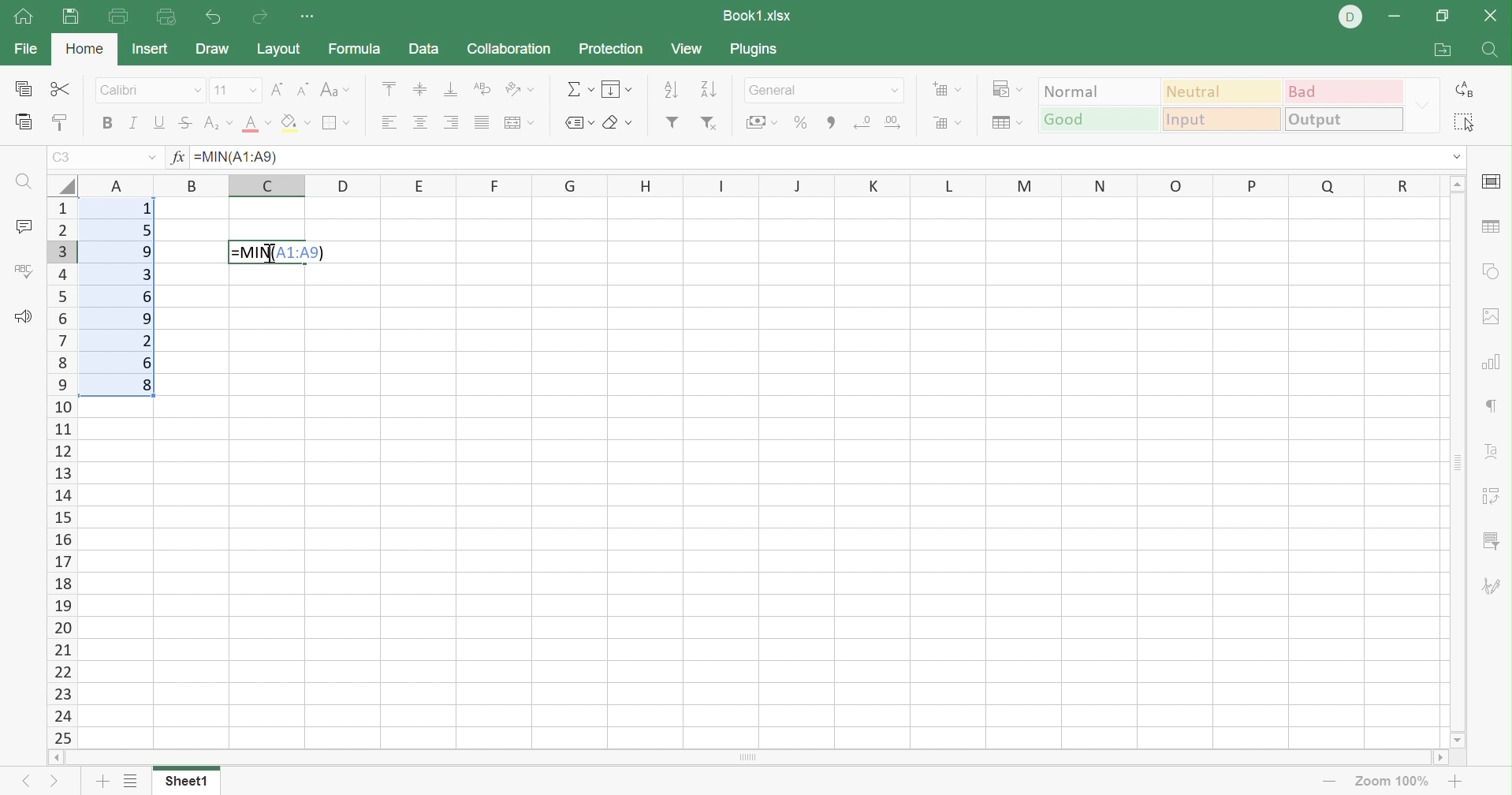 The height and width of the screenshot is (795, 1512). What do you see at coordinates (24, 274) in the screenshot?
I see `Check spelling` at bounding box center [24, 274].